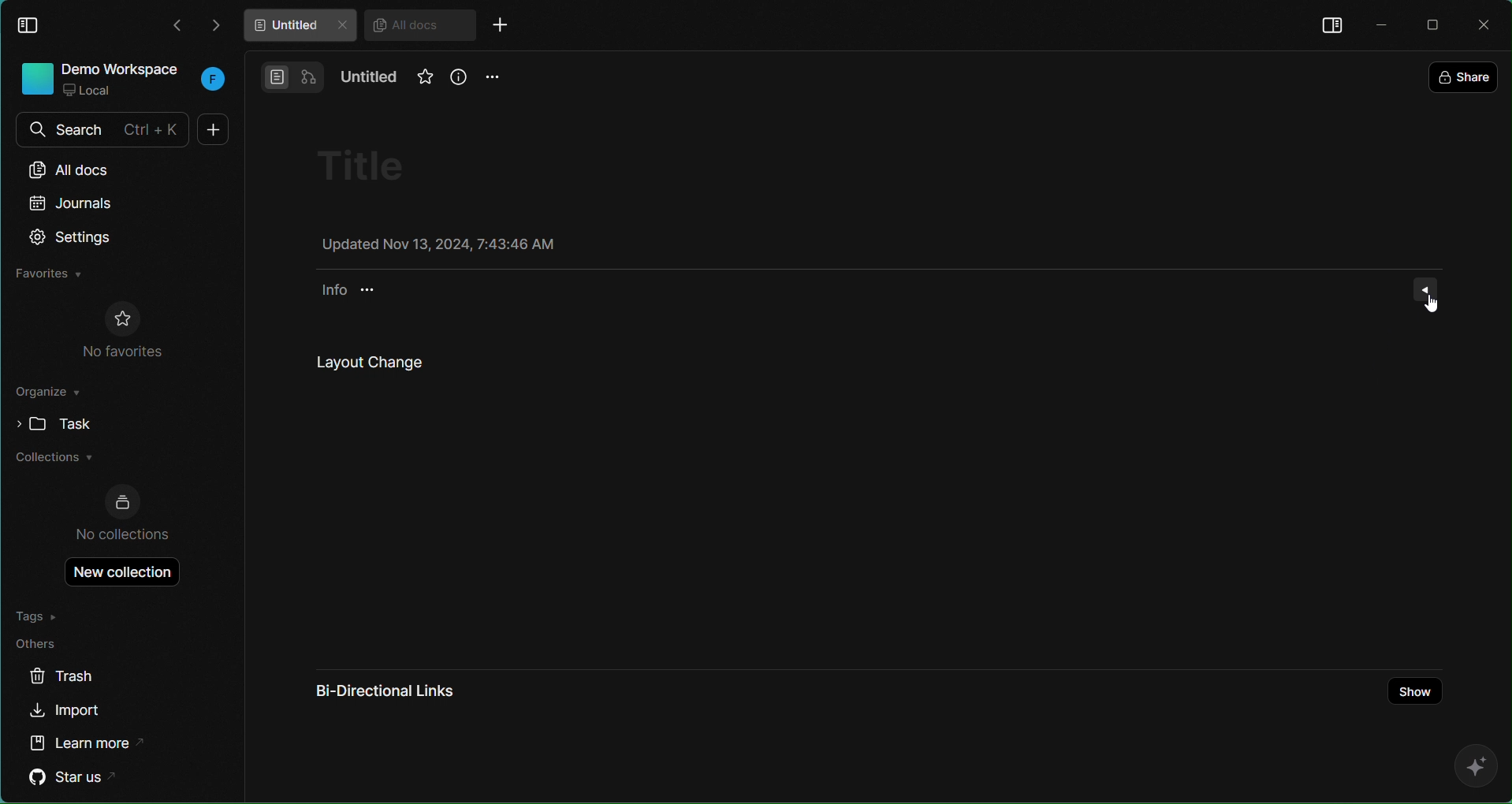  I want to click on ( Untitled, so click(298, 26).